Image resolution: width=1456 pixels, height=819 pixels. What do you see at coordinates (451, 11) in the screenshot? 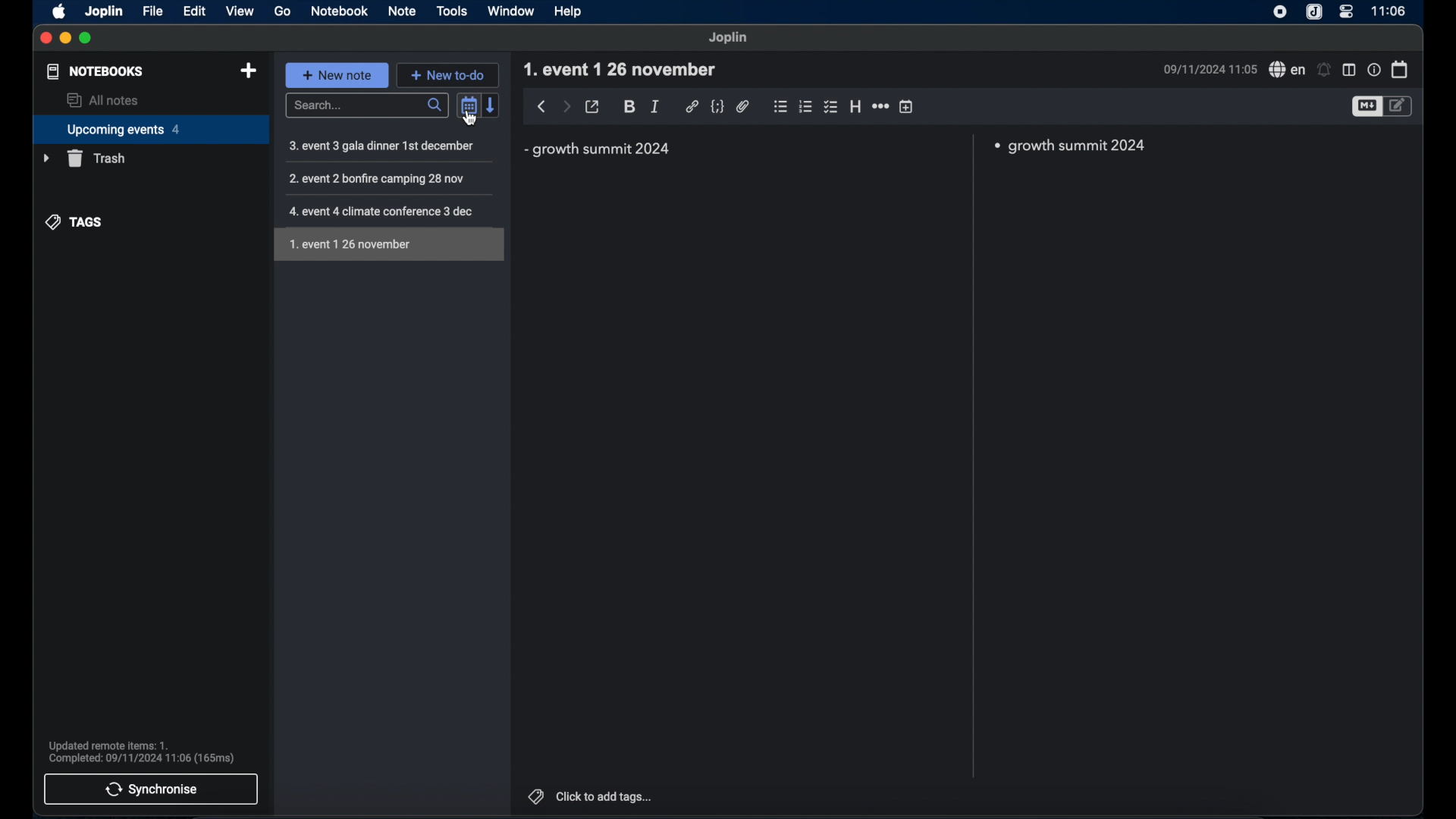
I see `tools` at bounding box center [451, 11].